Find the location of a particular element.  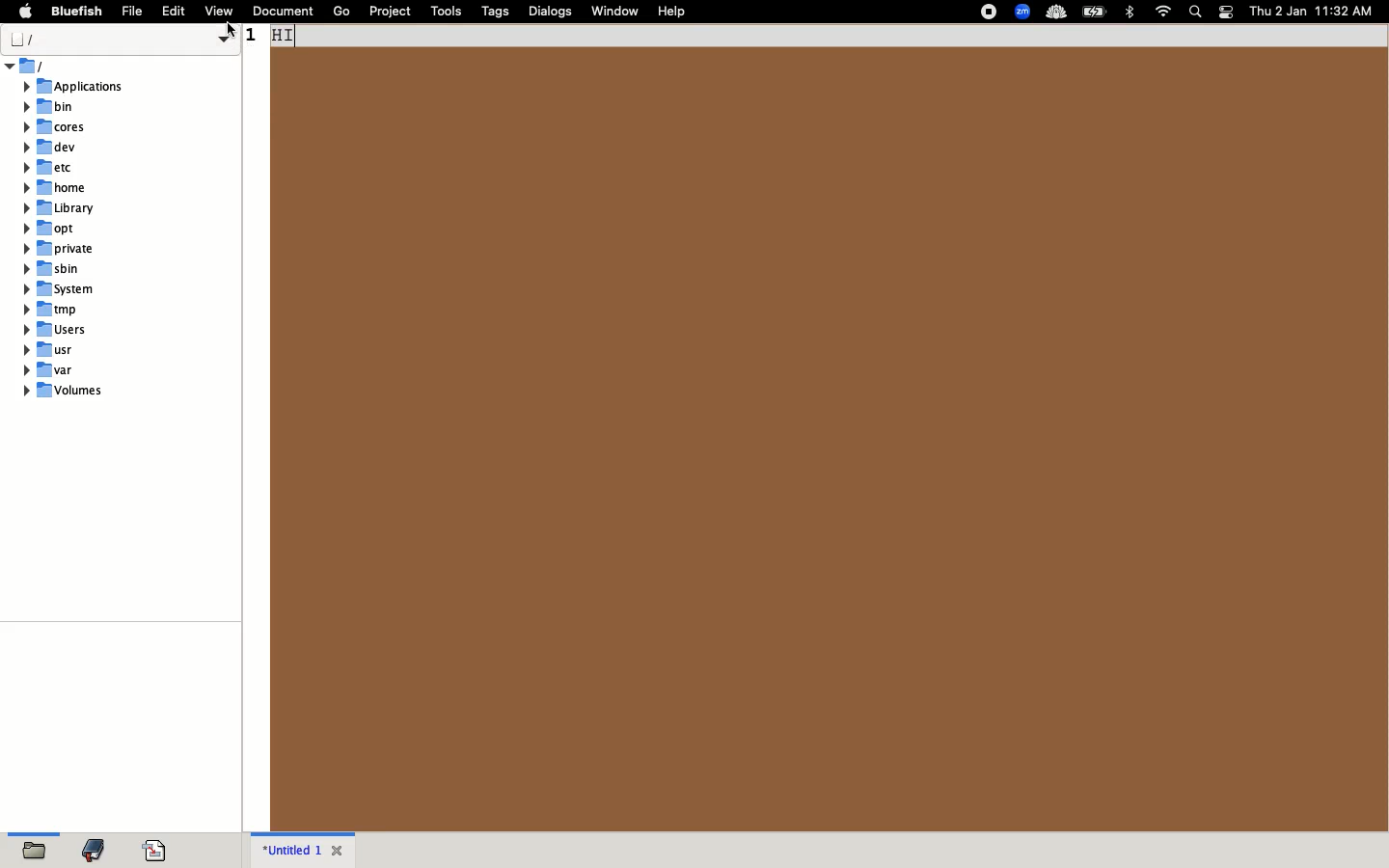

opt is located at coordinates (49, 227).